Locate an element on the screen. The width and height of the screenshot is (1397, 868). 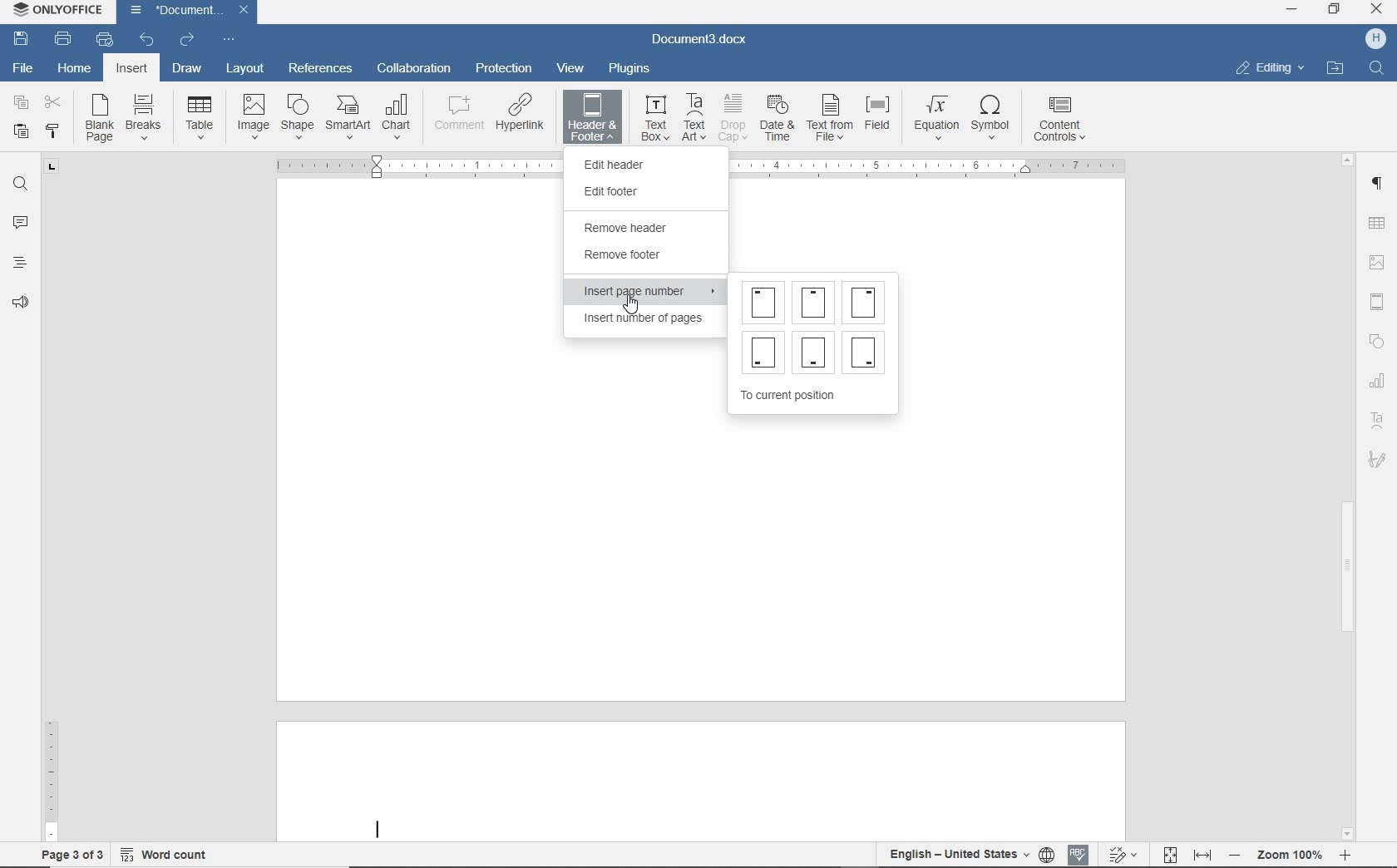
TEXT BOX is located at coordinates (654, 116).